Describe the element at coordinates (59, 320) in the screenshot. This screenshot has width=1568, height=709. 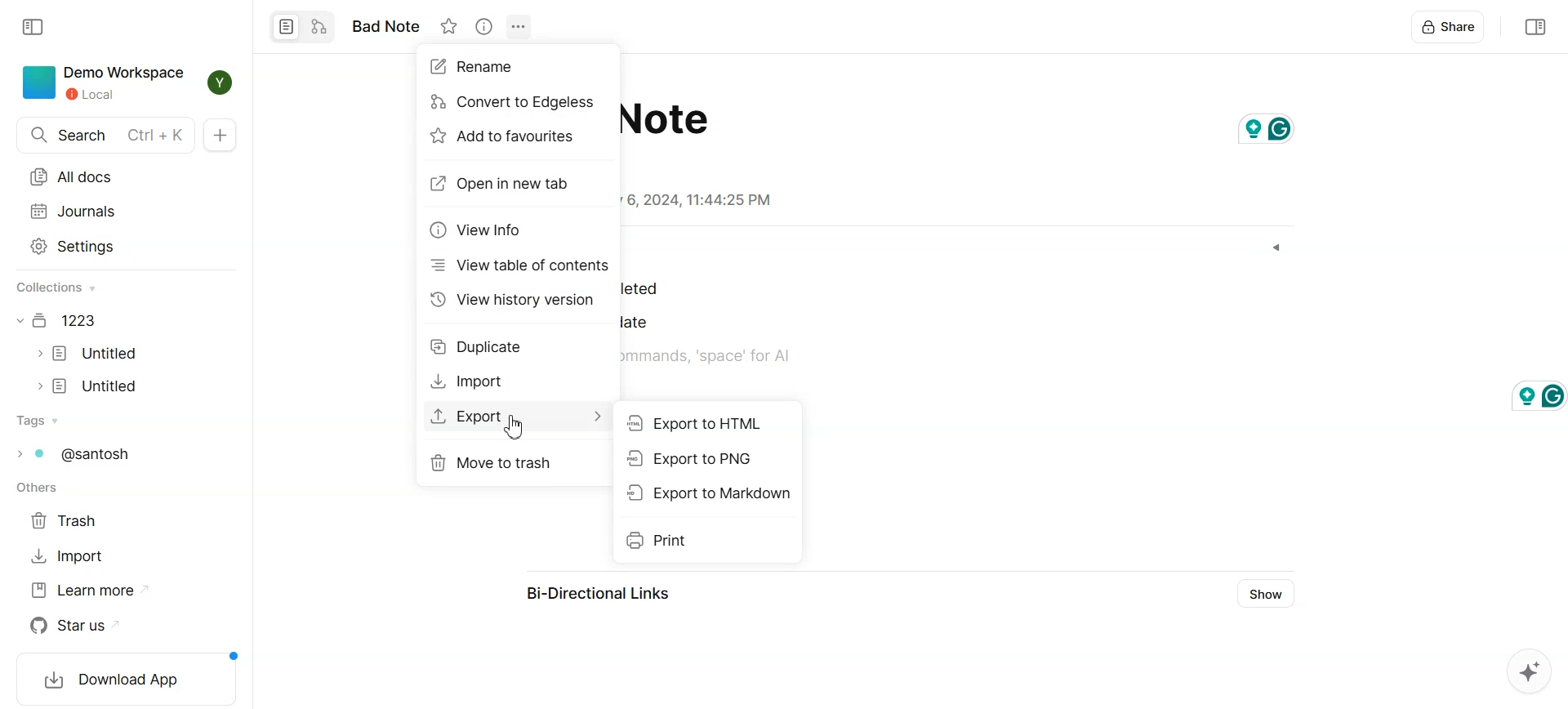
I see `Document` at that location.